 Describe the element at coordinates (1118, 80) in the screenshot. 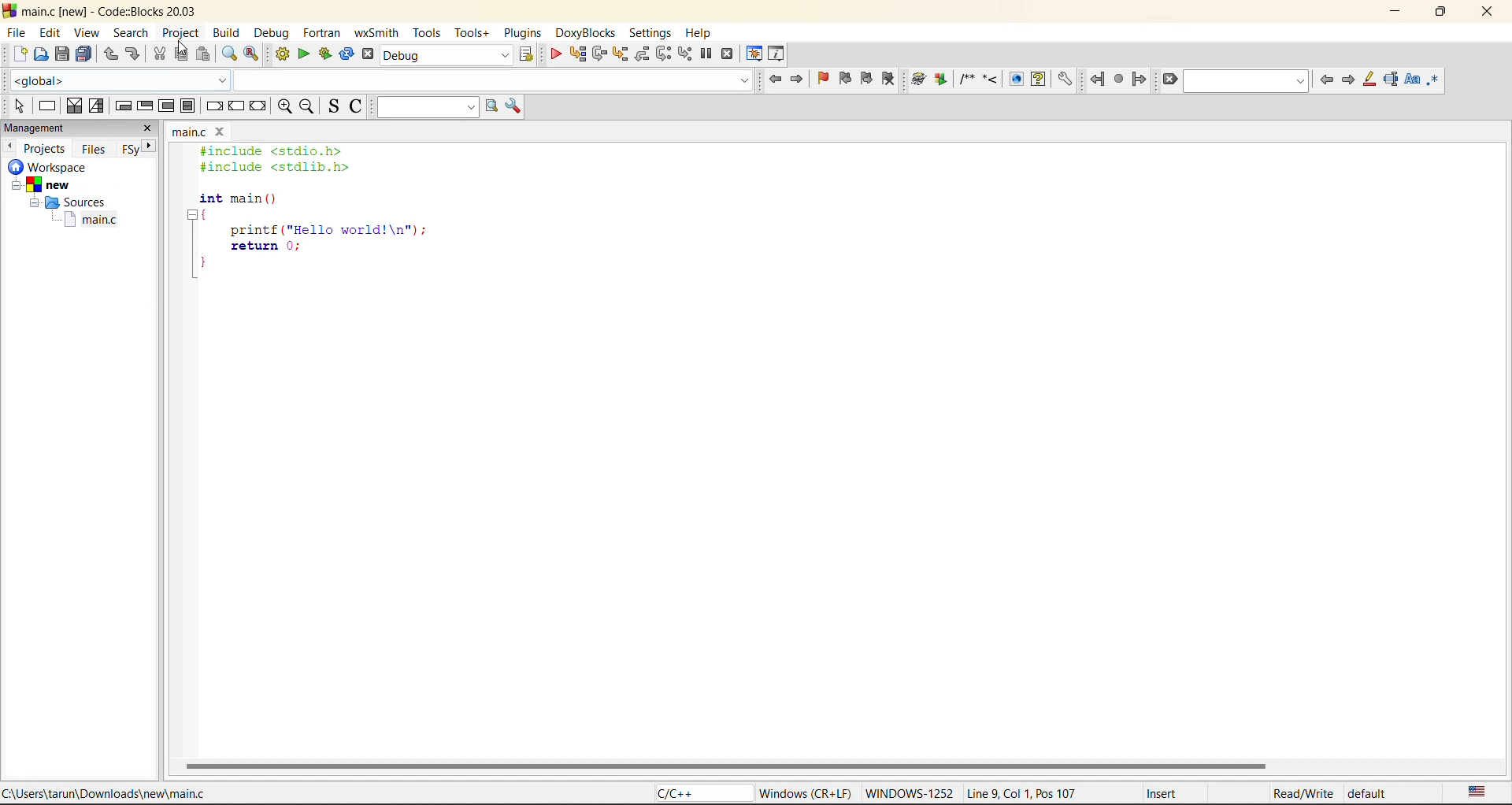

I see `last jump` at that location.